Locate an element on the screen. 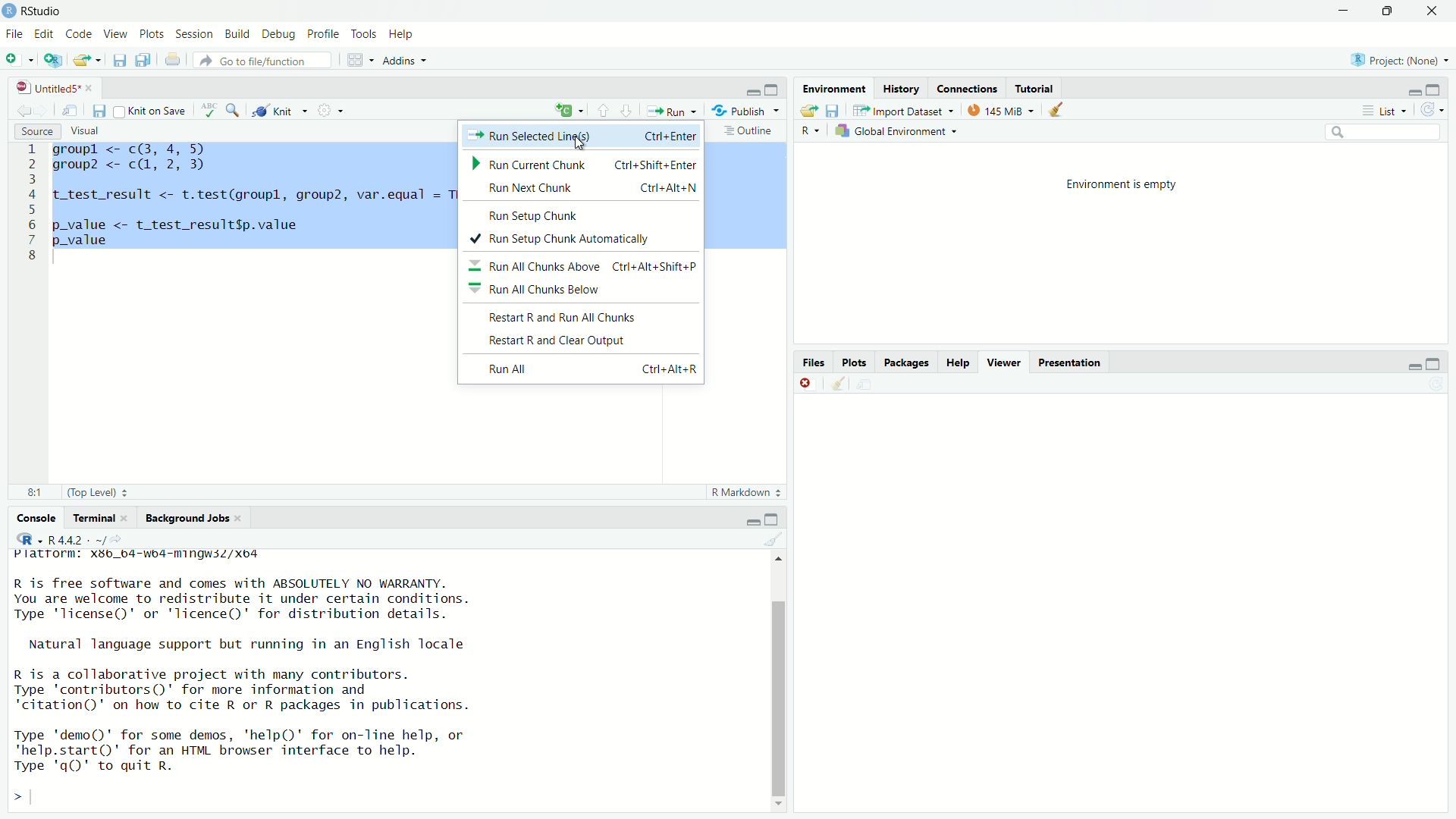 Image resolution: width=1456 pixels, height=819 pixels. clear objects from workspace is located at coordinates (1059, 109).